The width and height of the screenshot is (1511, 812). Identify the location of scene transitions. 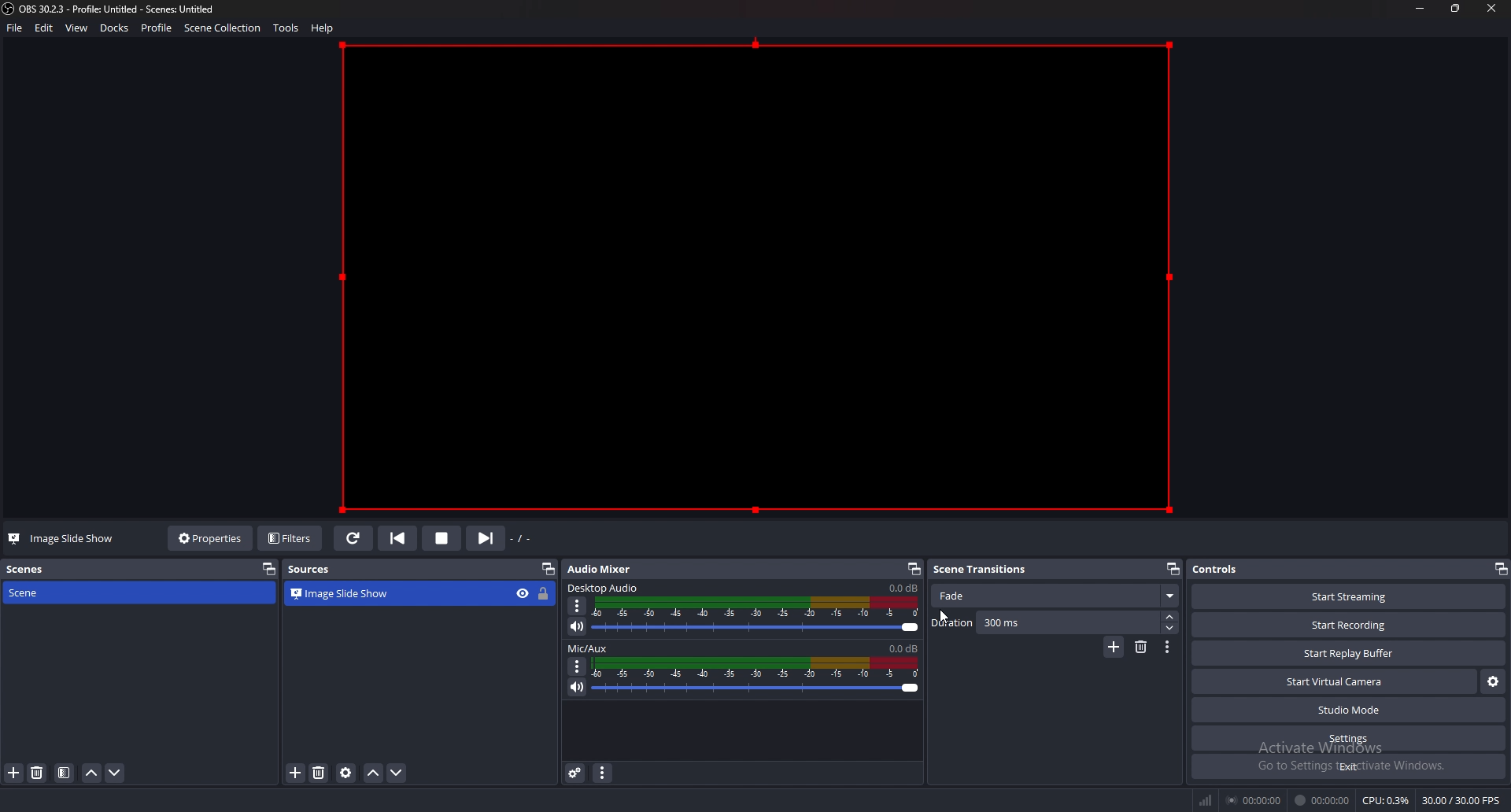
(982, 570).